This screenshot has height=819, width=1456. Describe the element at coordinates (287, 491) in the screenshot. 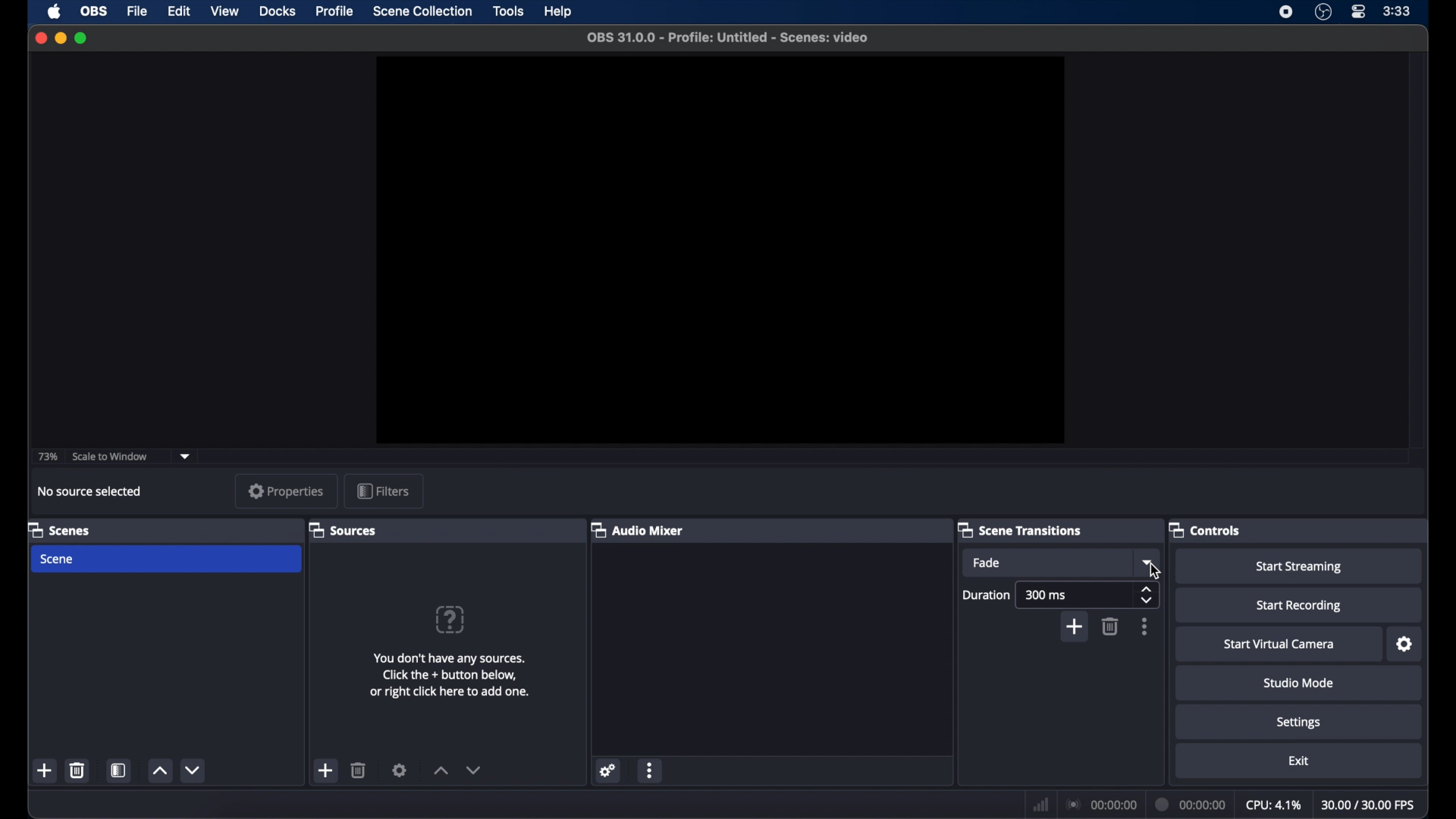

I see `properties` at that location.